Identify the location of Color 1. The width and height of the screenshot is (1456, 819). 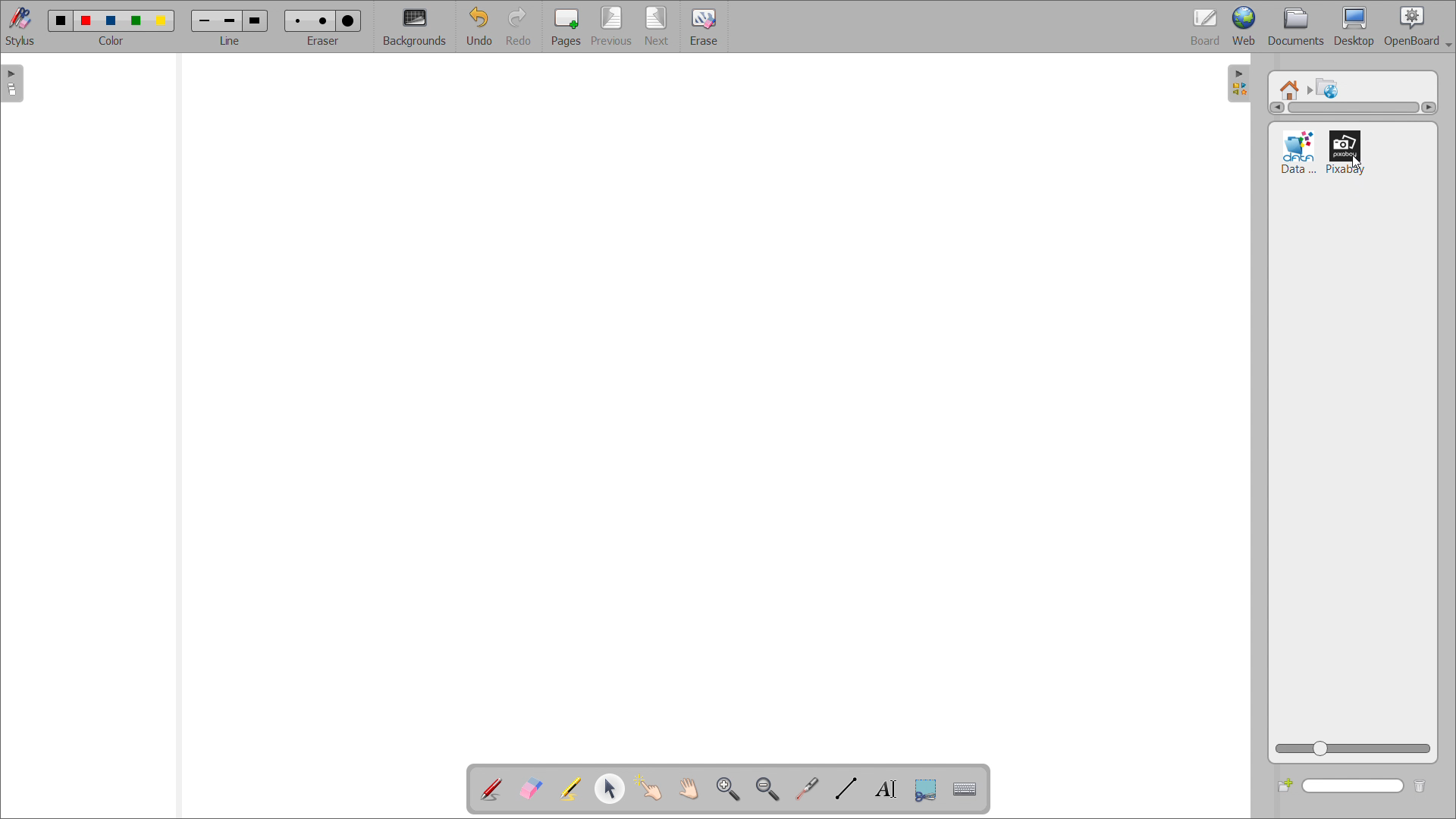
(59, 20).